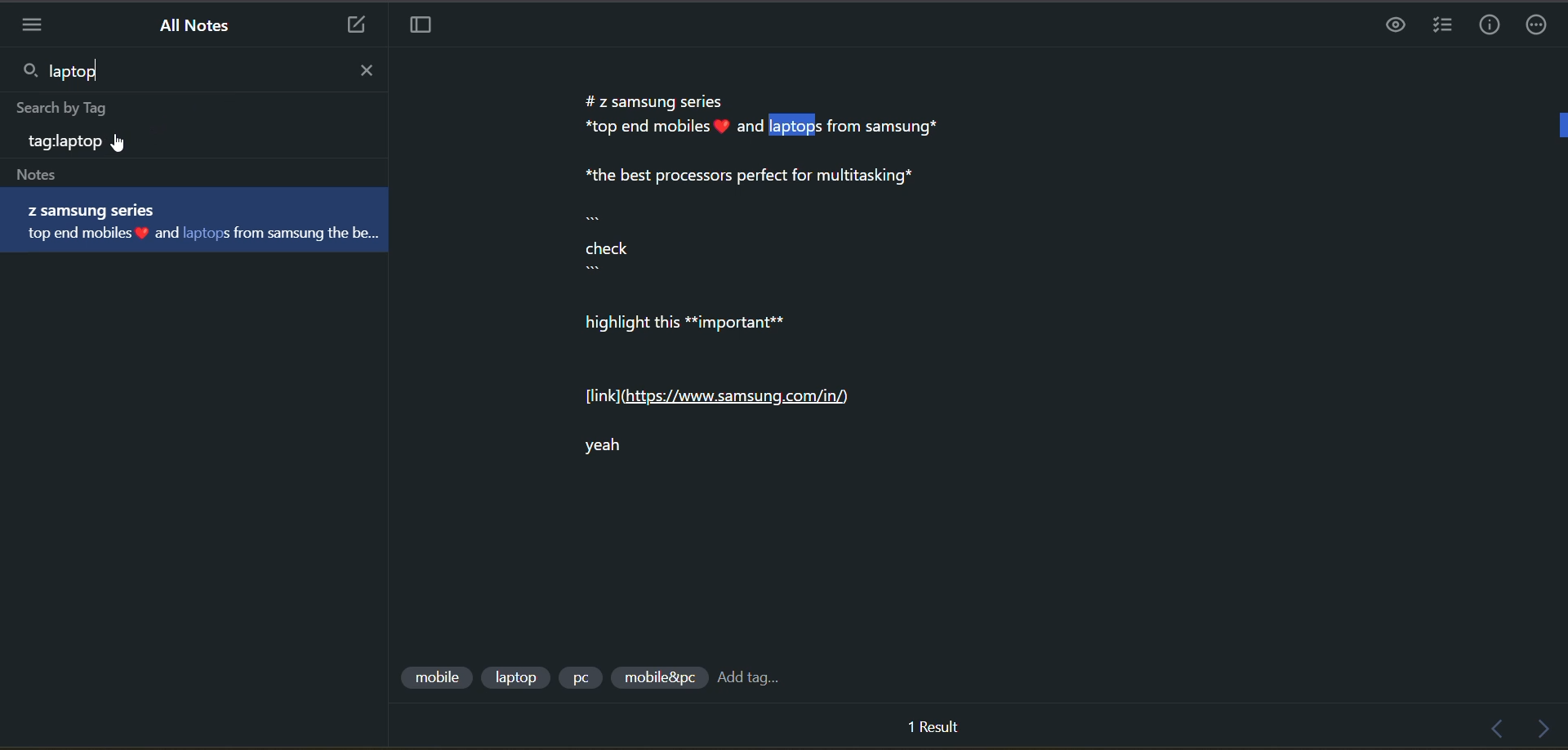 Image resolution: width=1568 pixels, height=750 pixels. Describe the element at coordinates (120, 146) in the screenshot. I see `cursor` at that location.